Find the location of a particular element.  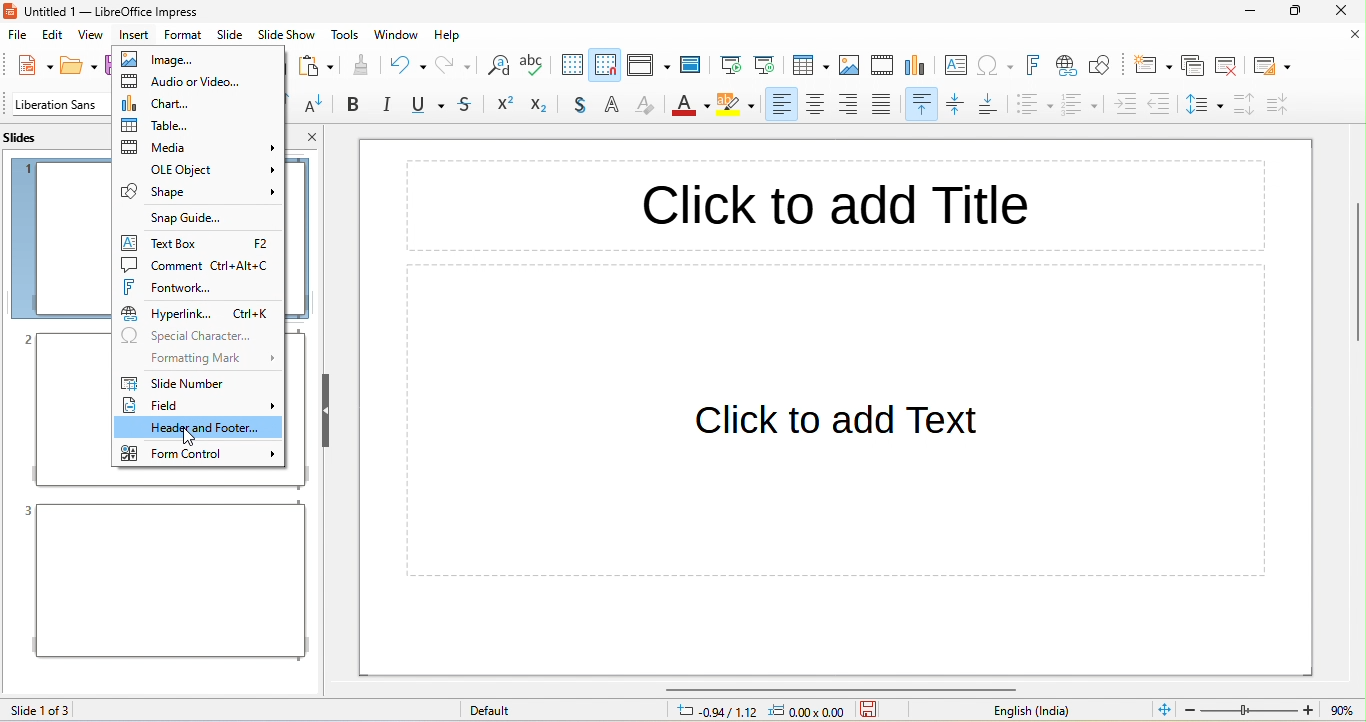

align left is located at coordinates (779, 105).